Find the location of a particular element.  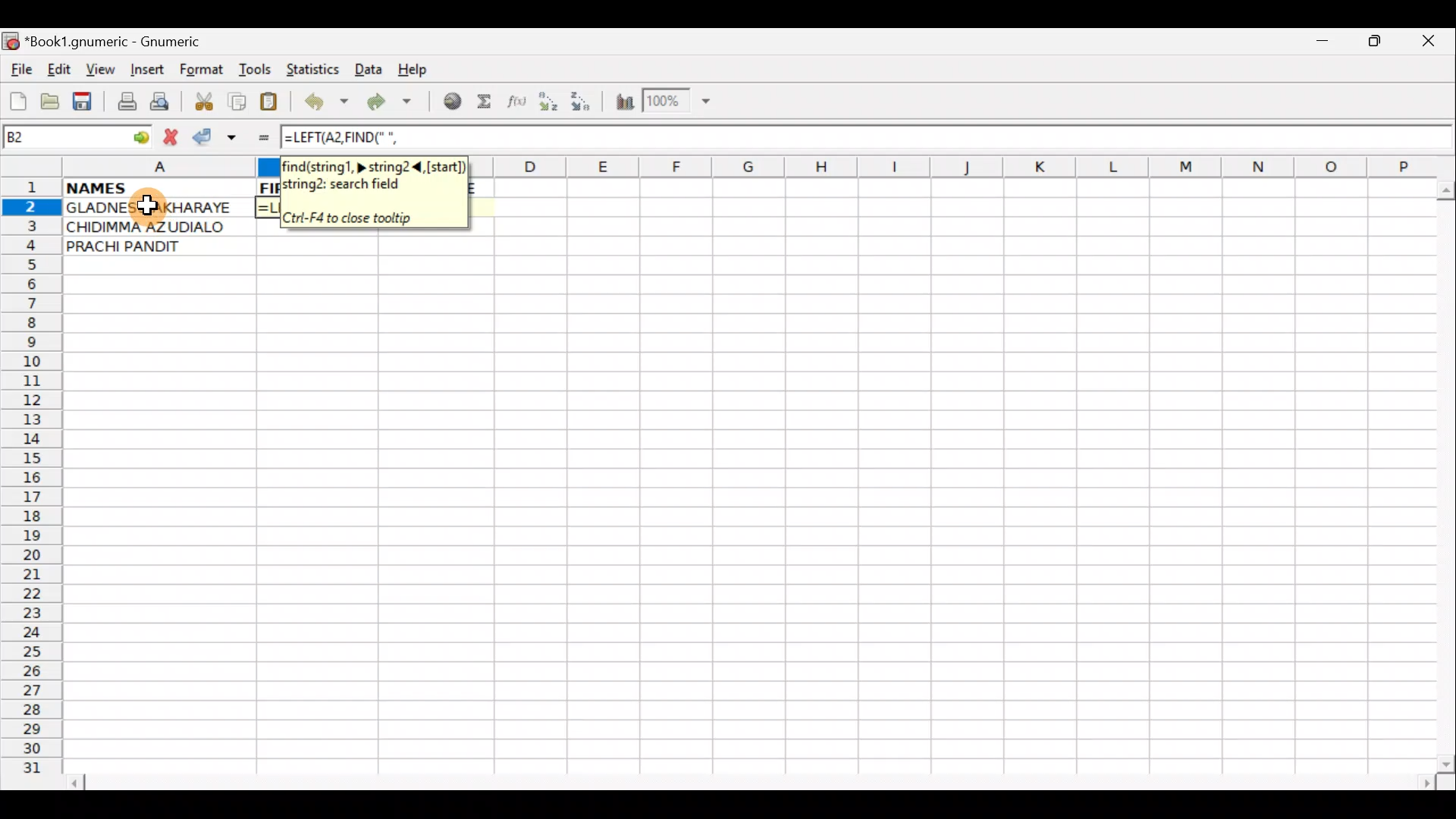

Gnumeric logo is located at coordinates (11, 42).